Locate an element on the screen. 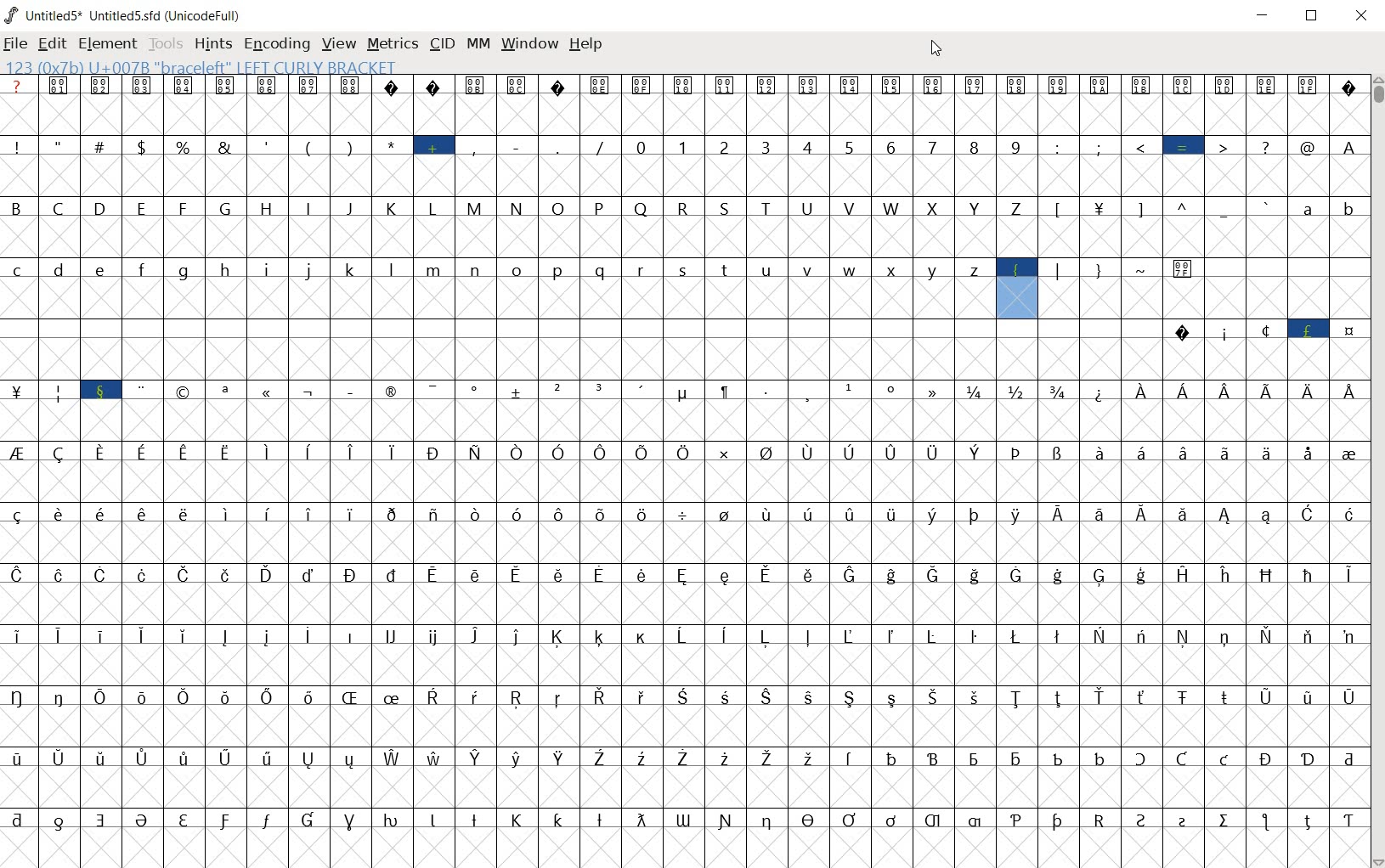 The height and width of the screenshot is (868, 1385). CLOSE is located at coordinates (1359, 15).